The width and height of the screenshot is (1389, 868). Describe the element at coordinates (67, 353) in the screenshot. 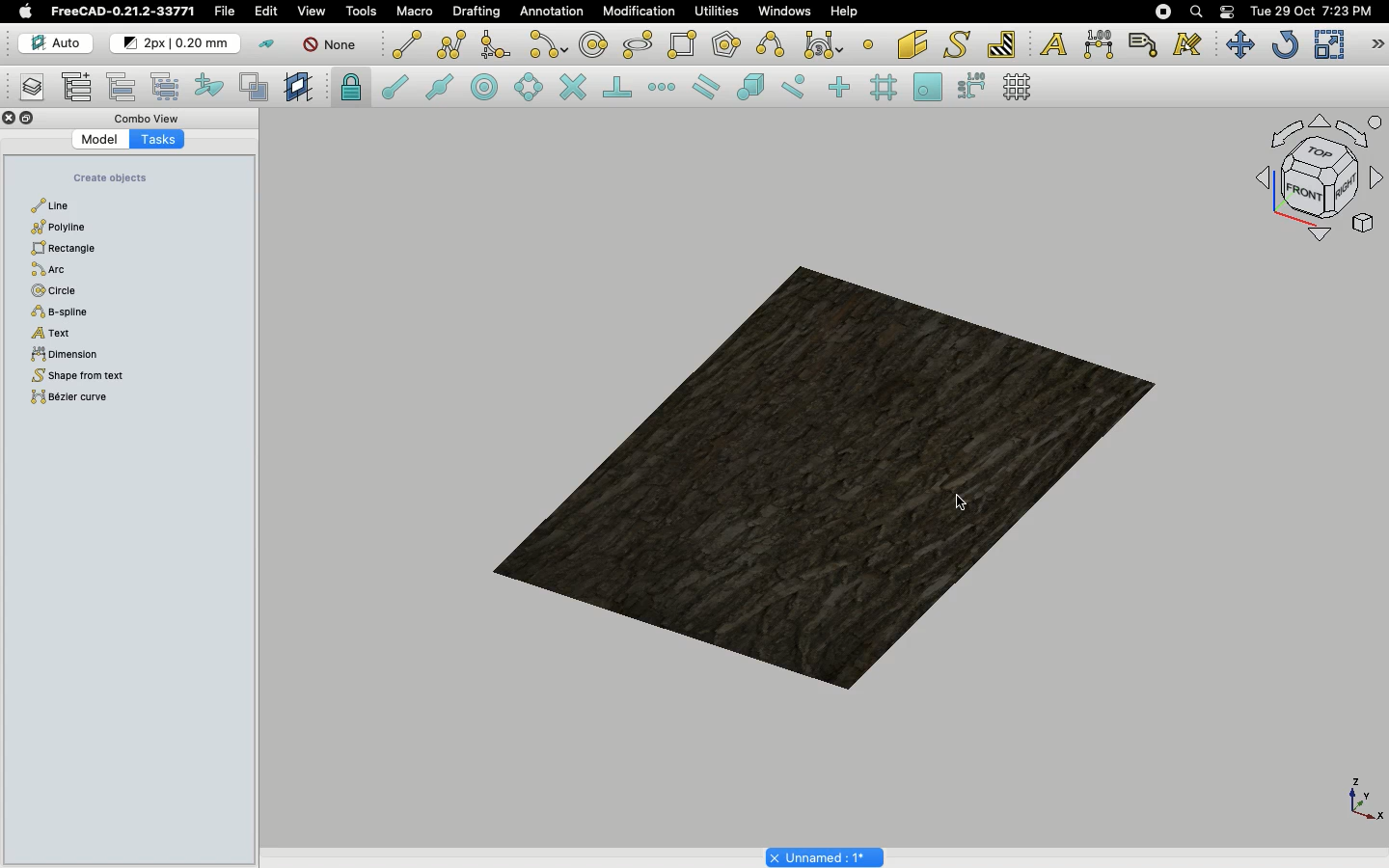

I see `Dimension` at that location.